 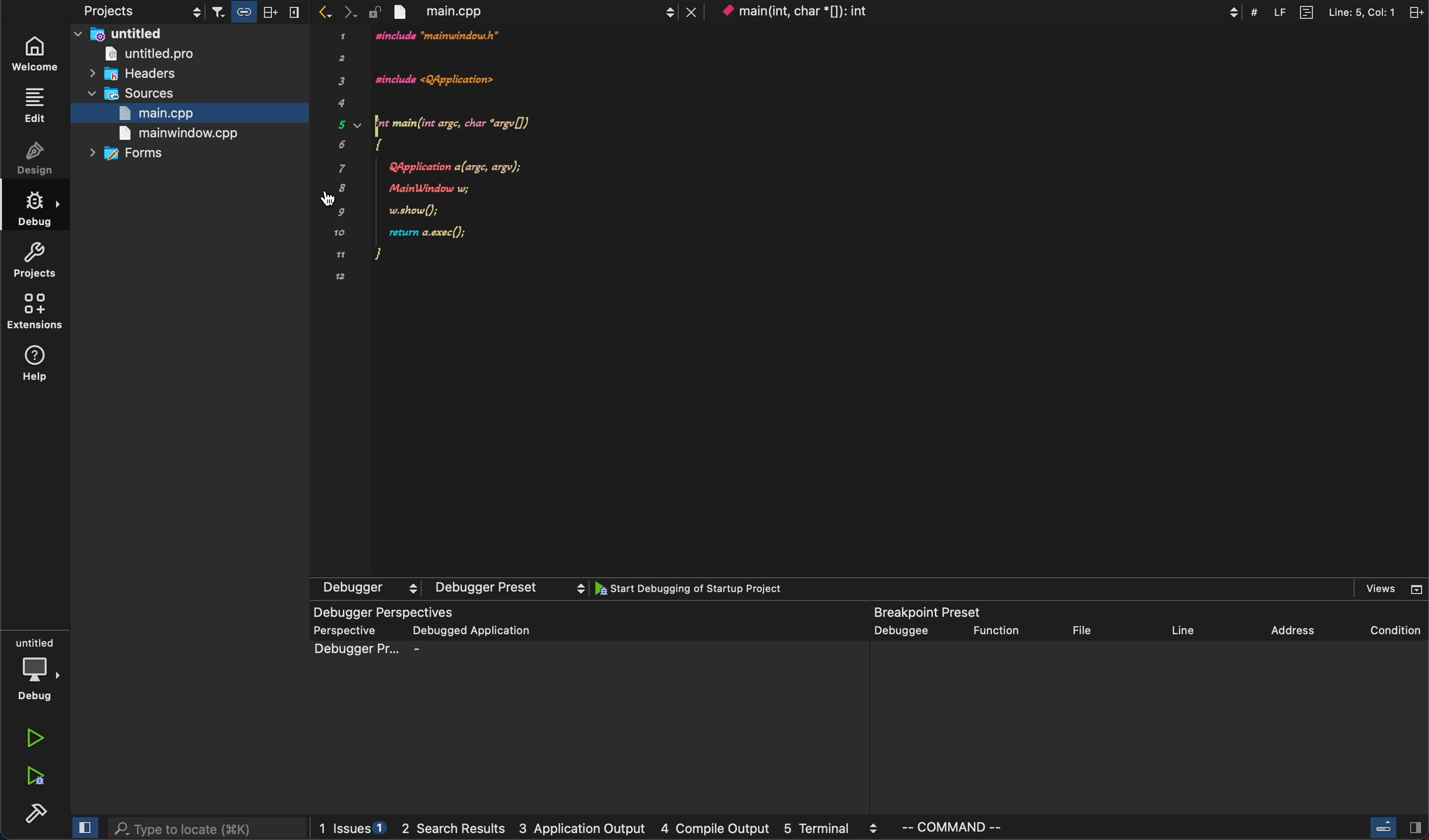 What do you see at coordinates (335, 12) in the screenshot?
I see `arrows` at bounding box center [335, 12].